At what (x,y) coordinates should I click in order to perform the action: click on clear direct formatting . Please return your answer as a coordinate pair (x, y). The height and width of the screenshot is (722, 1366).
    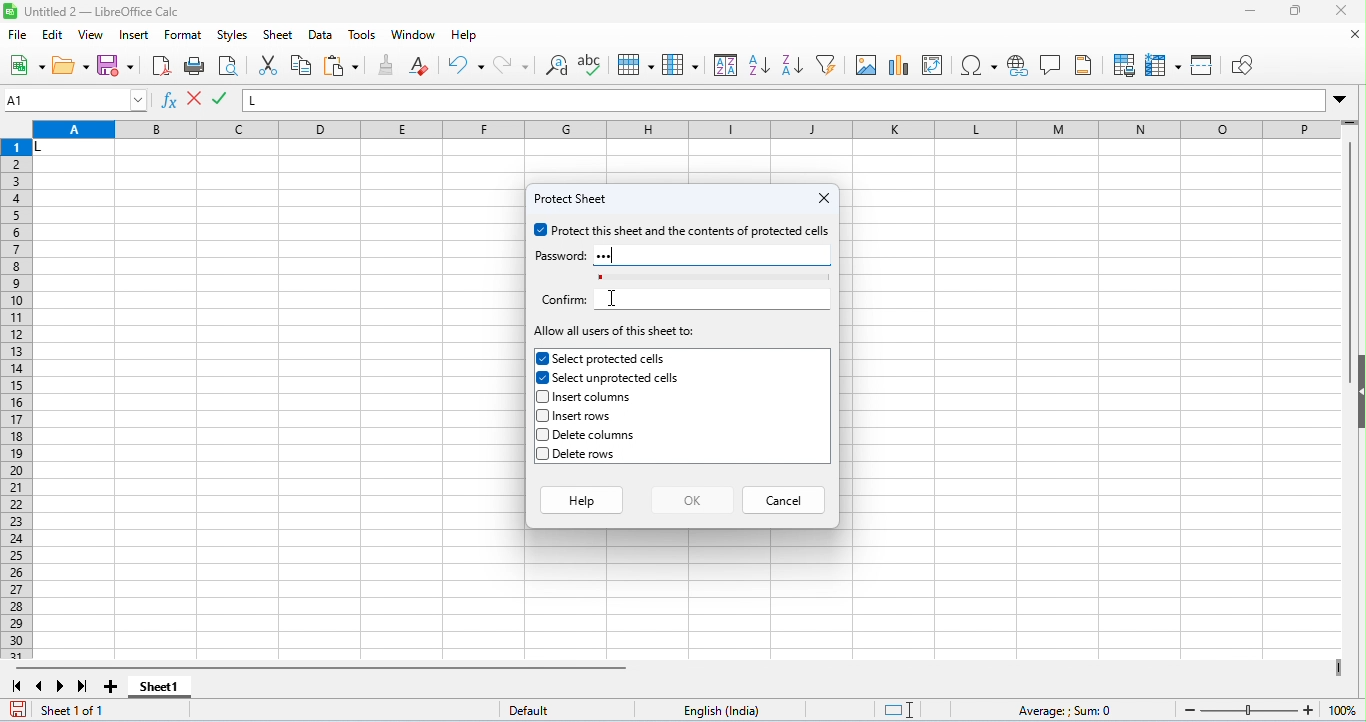
    Looking at the image, I should click on (419, 65).